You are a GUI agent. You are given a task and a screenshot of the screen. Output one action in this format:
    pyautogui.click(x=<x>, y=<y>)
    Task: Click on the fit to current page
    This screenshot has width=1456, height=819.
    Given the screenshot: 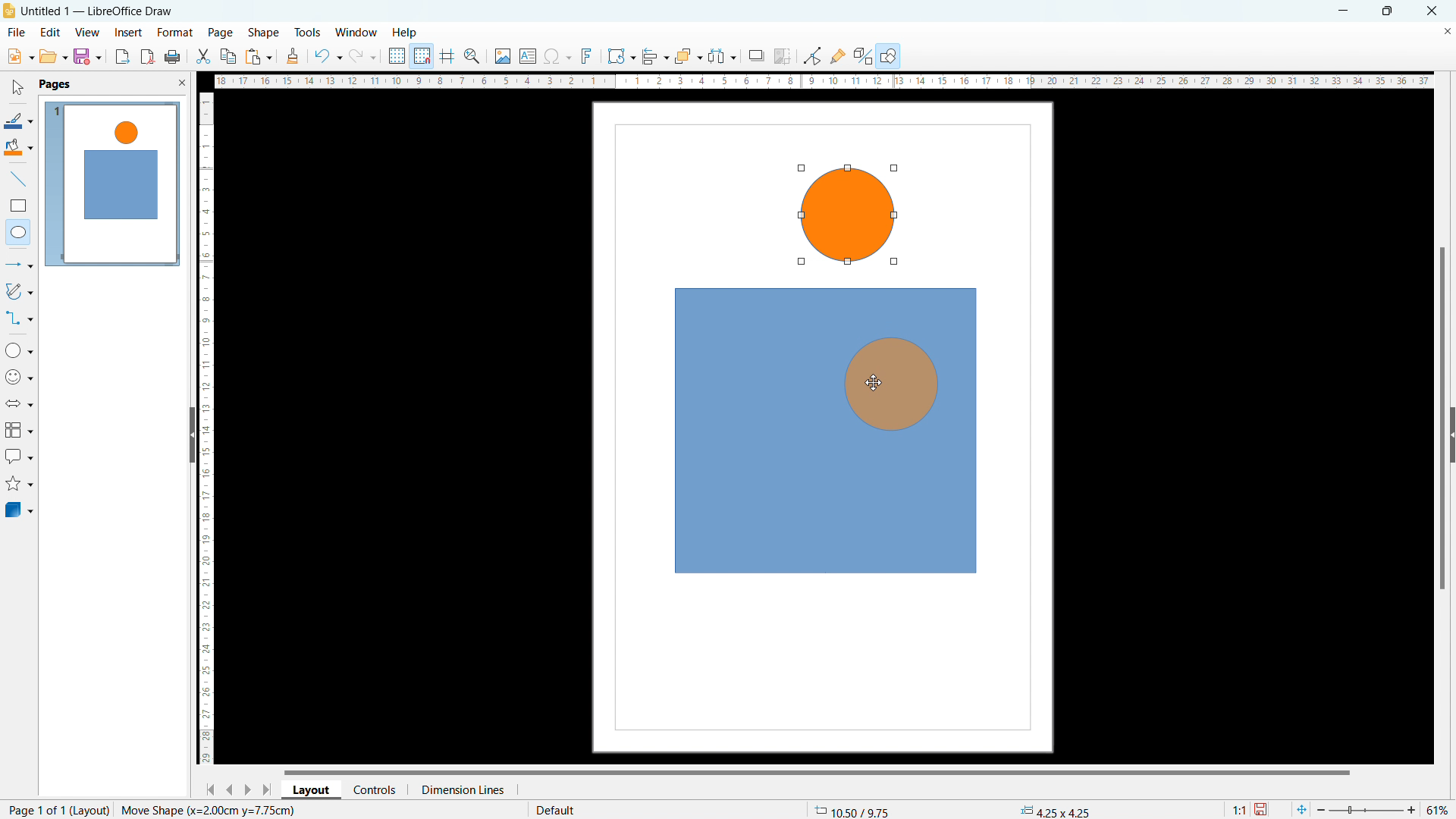 What is the action you would take?
    pyautogui.click(x=1301, y=809)
    